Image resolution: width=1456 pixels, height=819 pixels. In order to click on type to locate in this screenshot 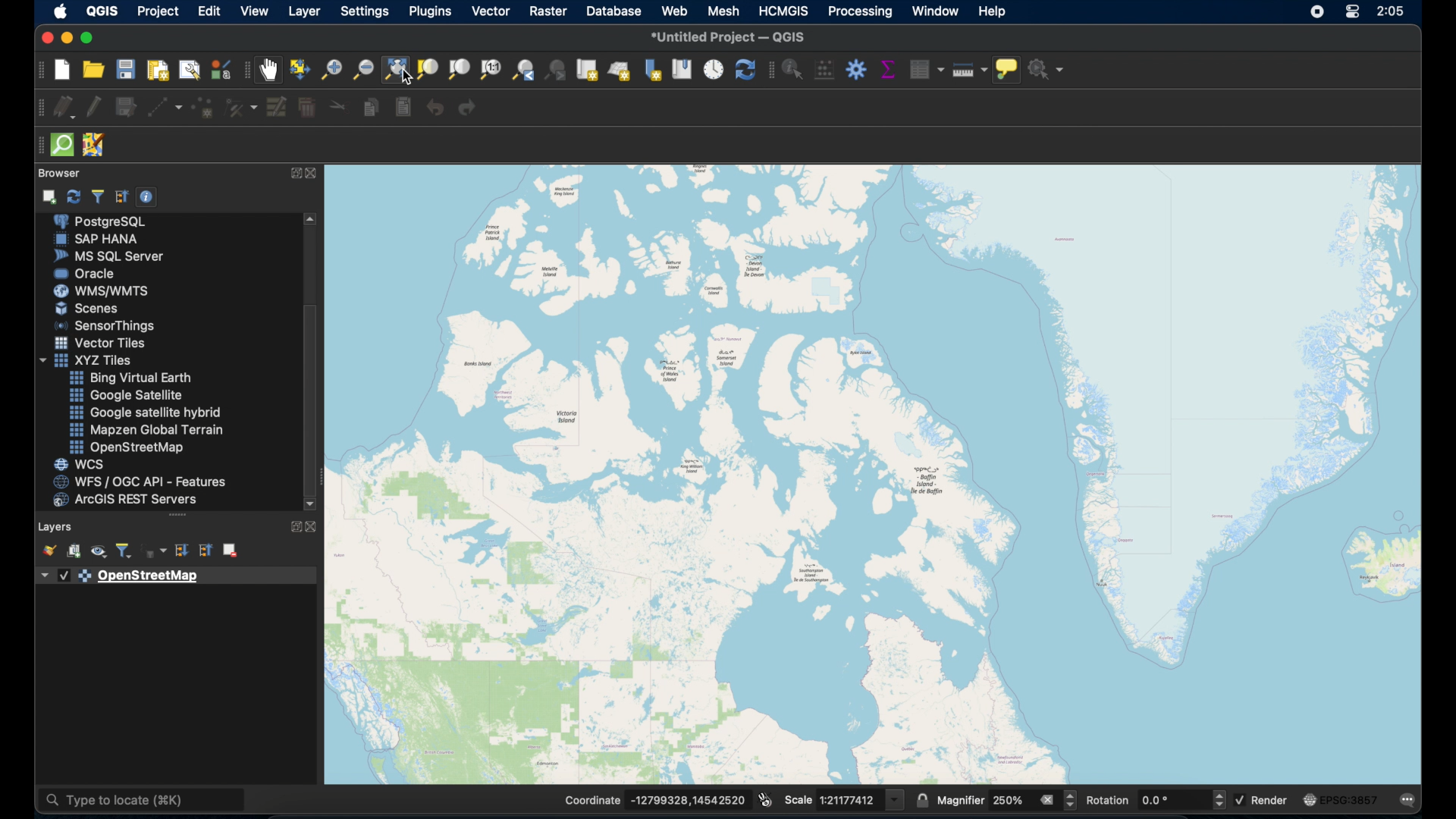, I will do `click(140, 802)`.